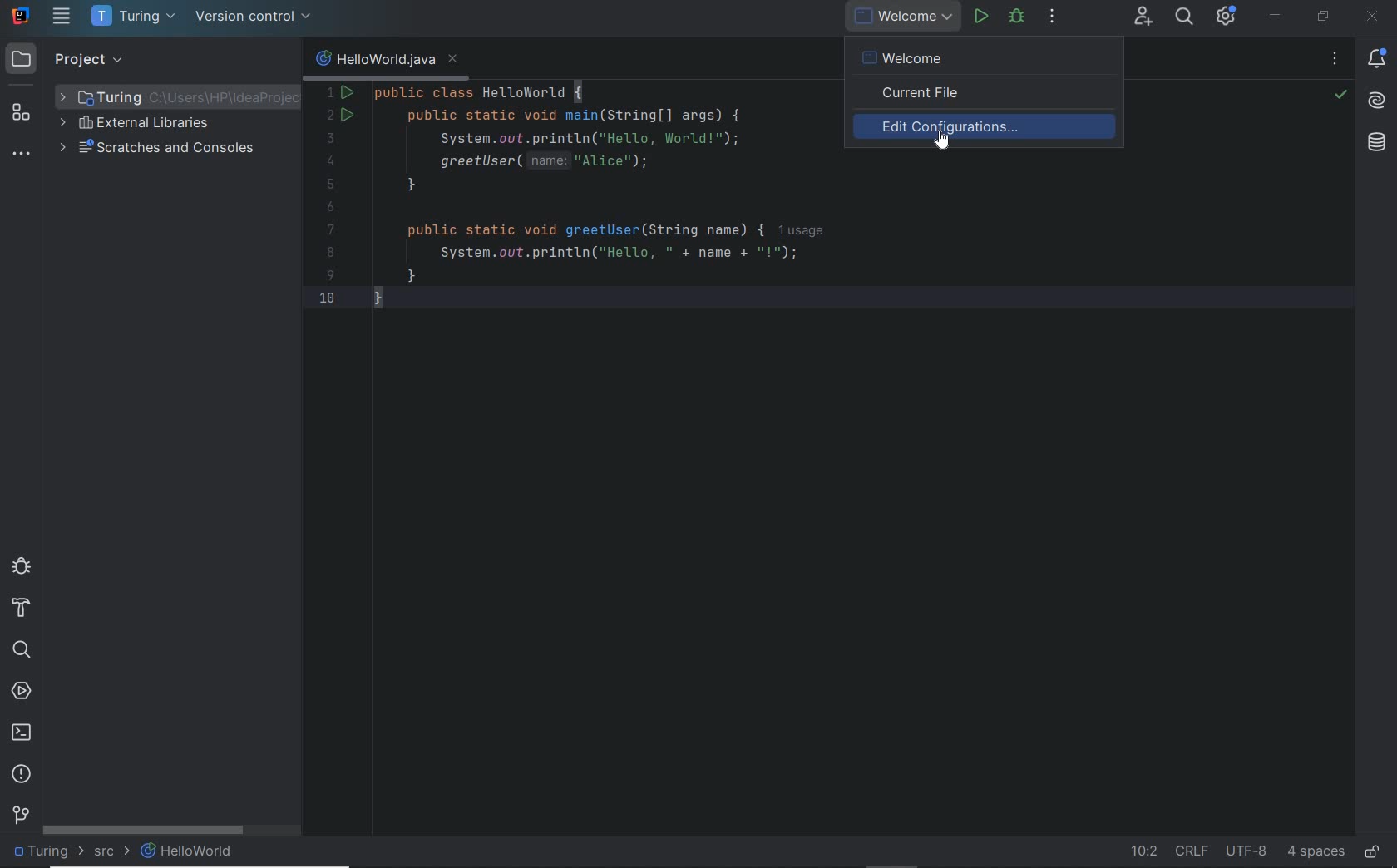 The height and width of the screenshot is (868, 1397). I want to click on CLOSE, so click(1373, 17).